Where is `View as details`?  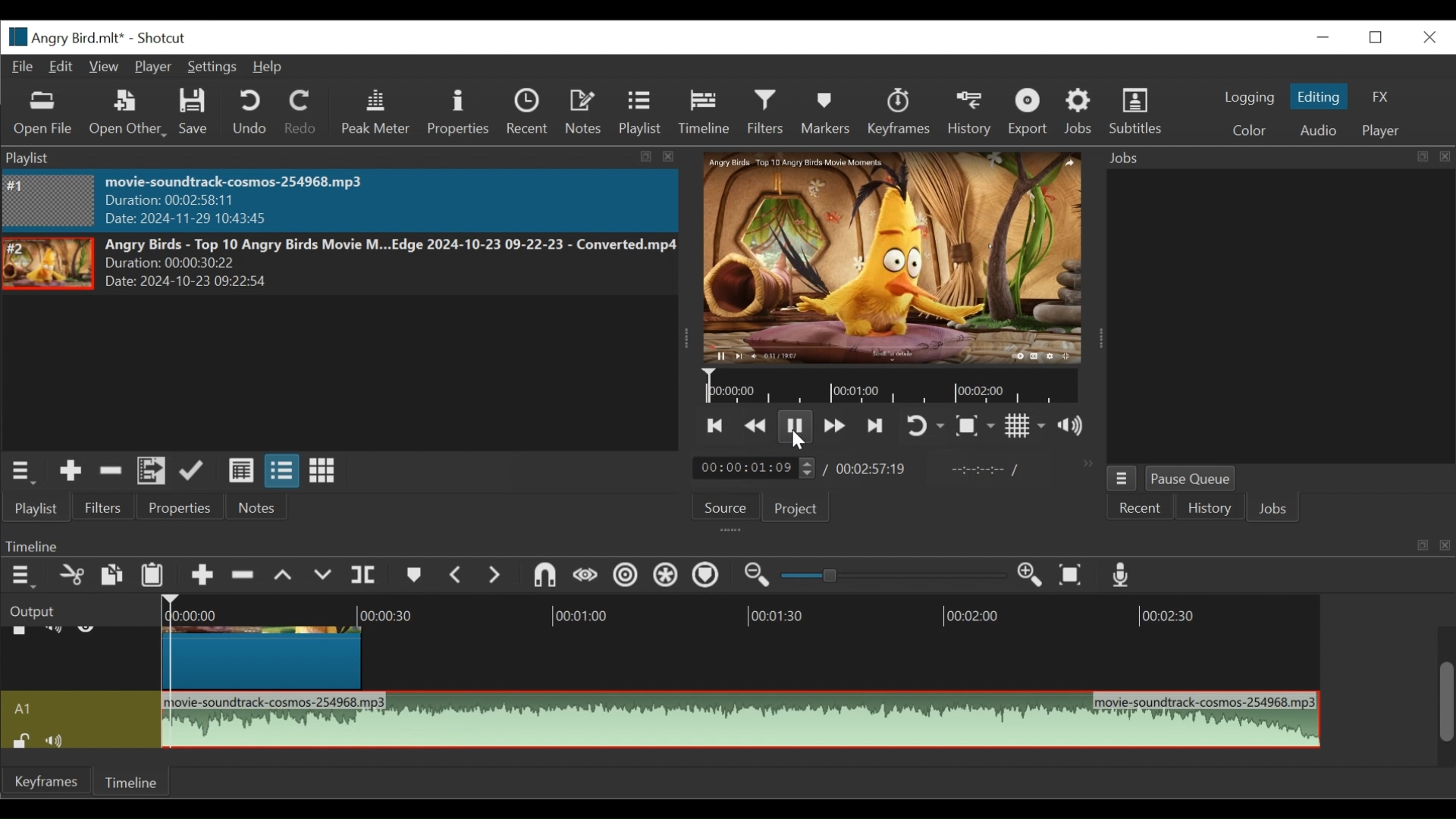 View as details is located at coordinates (240, 472).